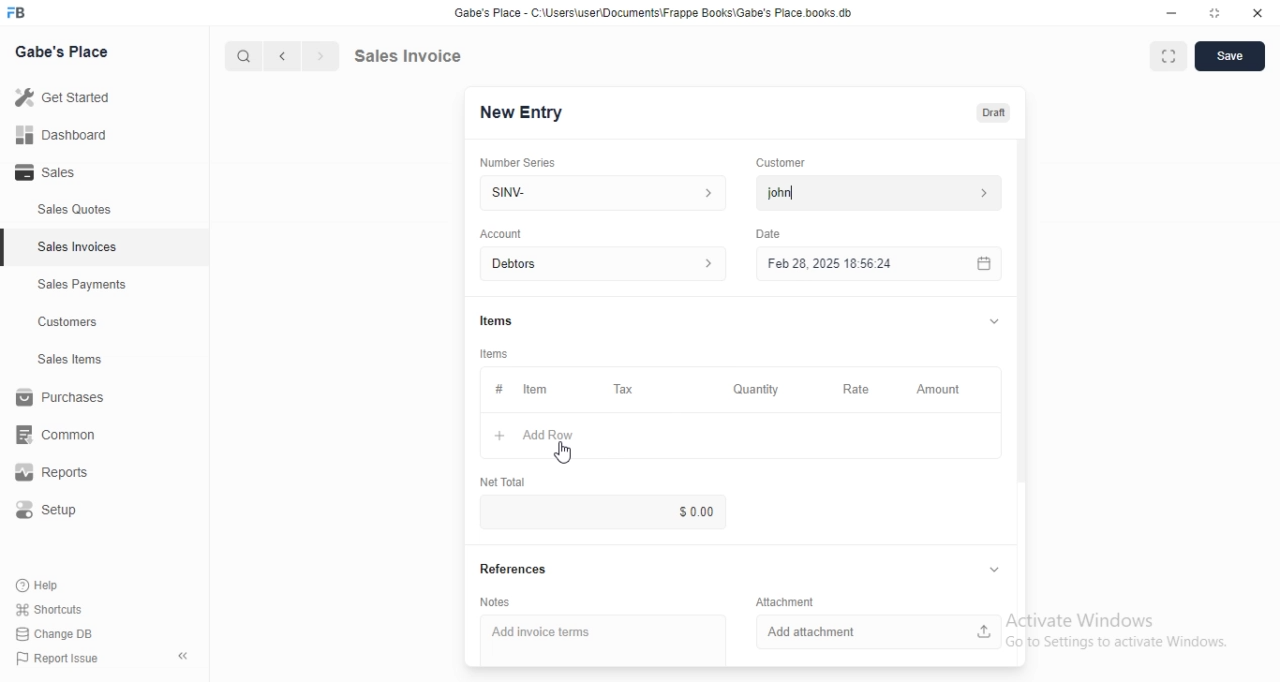 This screenshot has height=682, width=1280. What do you see at coordinates (995, 113) in the screenshot?
I see `Draft` at bounding box center [995, 113].